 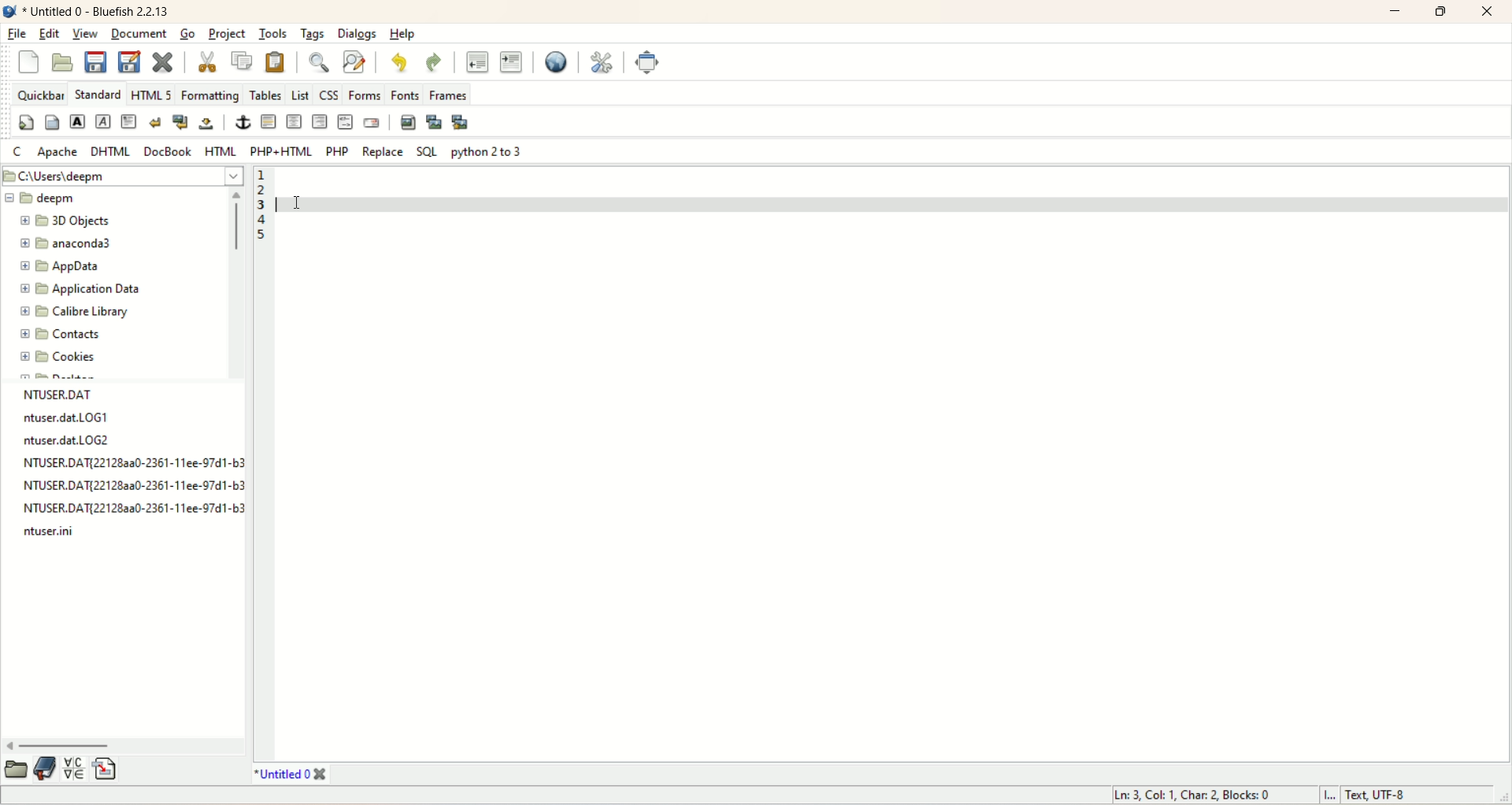 What do you see at coordinates (135, 487) in the screenshot?
I see `file name` at bounding box center [135, 487].